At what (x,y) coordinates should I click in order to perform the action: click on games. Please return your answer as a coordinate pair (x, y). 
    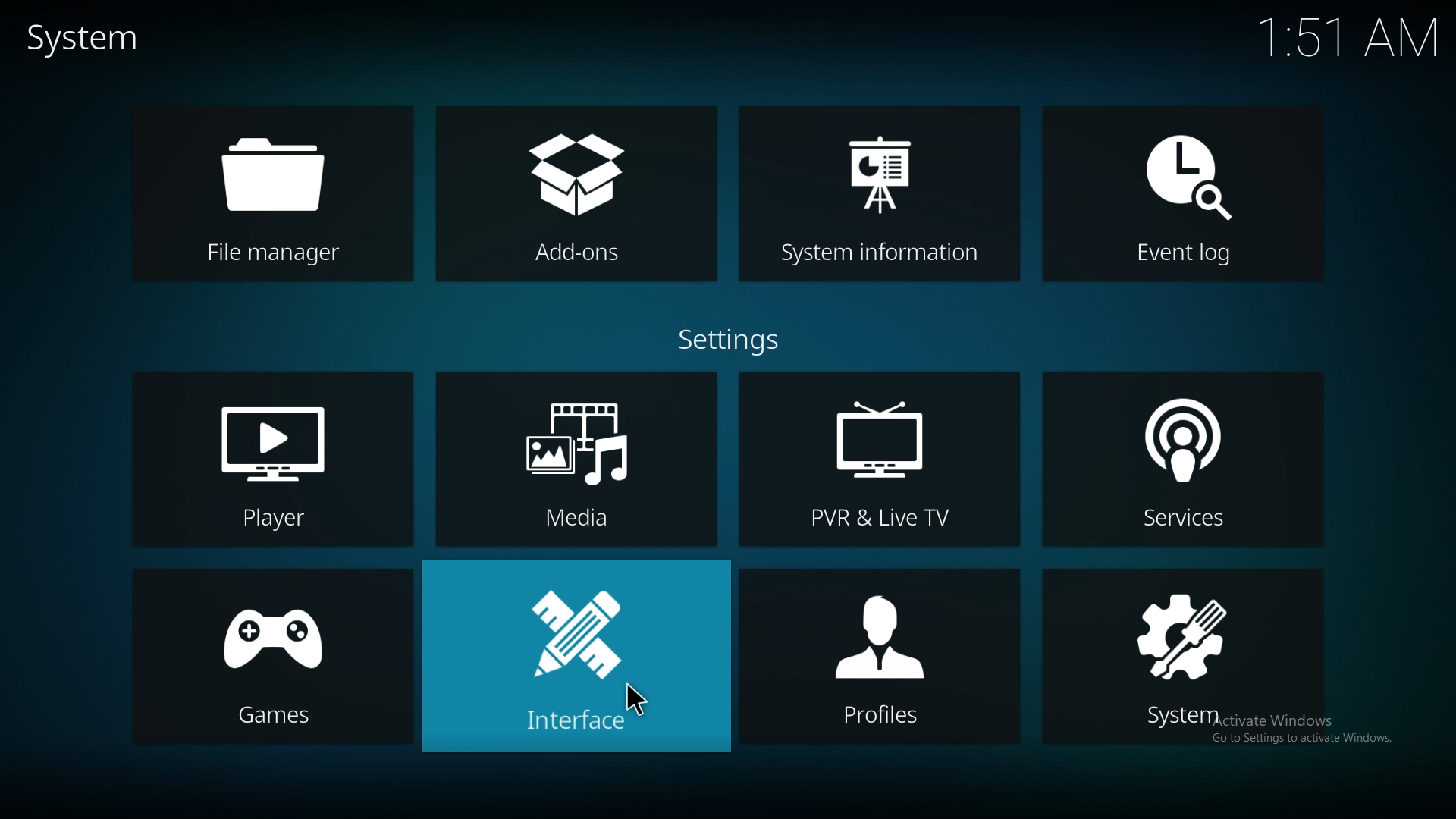
    Looking at the image, I should click on (271, 655).